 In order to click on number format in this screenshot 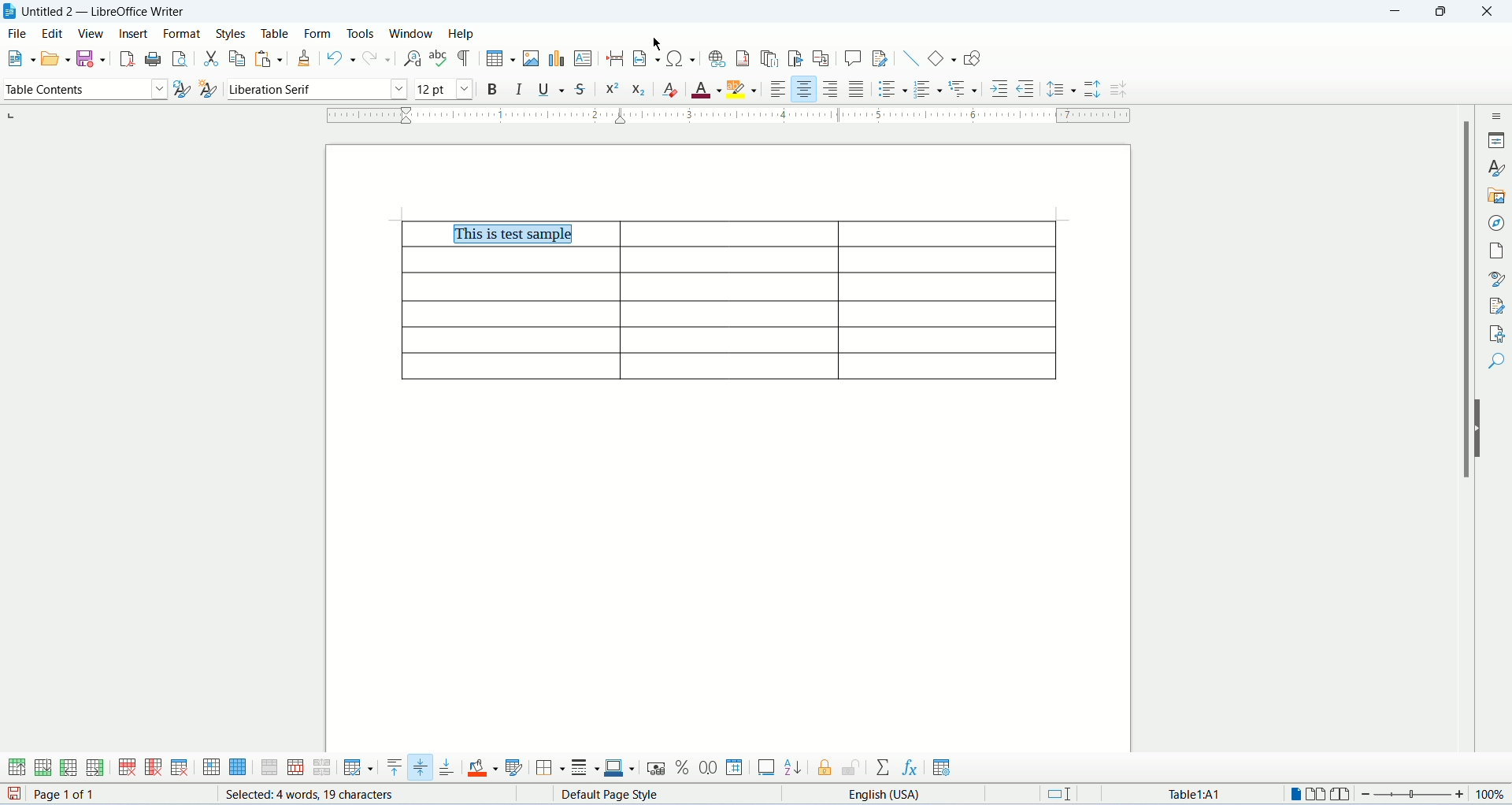, I will do `click(736, 768)`.